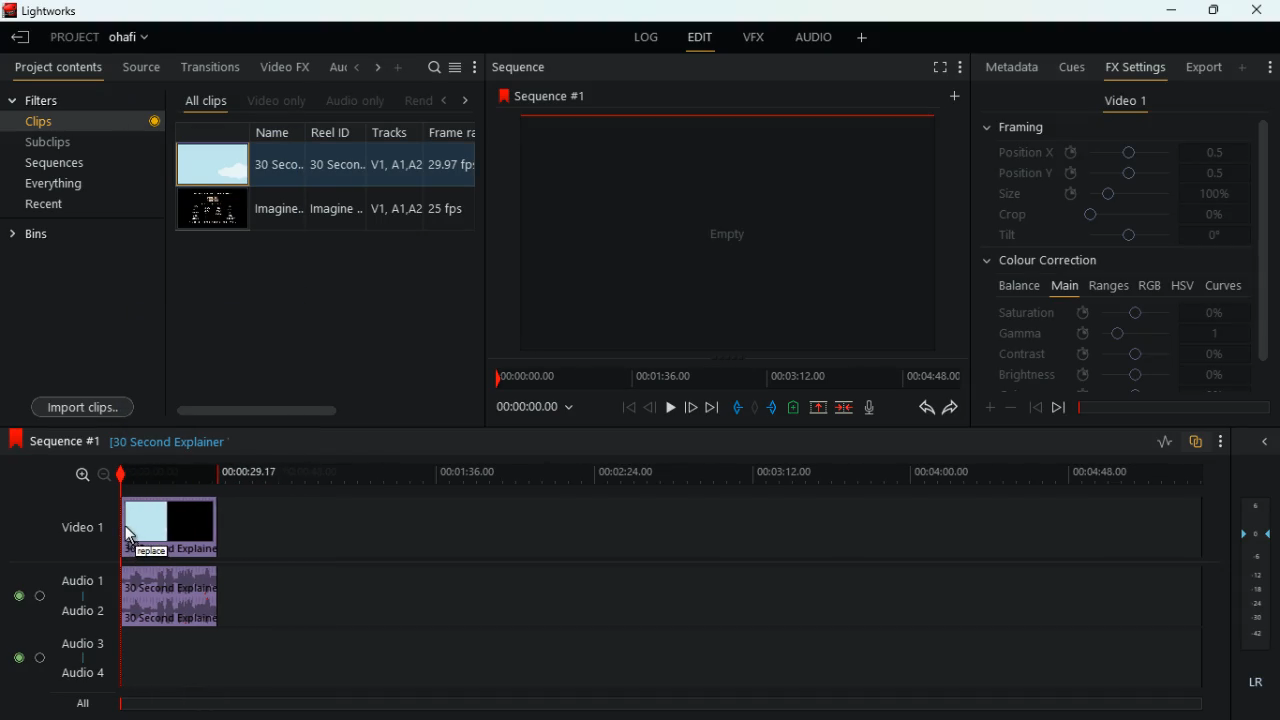 The image size is (1280, 720). What do you see at coordinates (637, 473) in the screenshot?
I see `time` at bounding box center [637, 473].